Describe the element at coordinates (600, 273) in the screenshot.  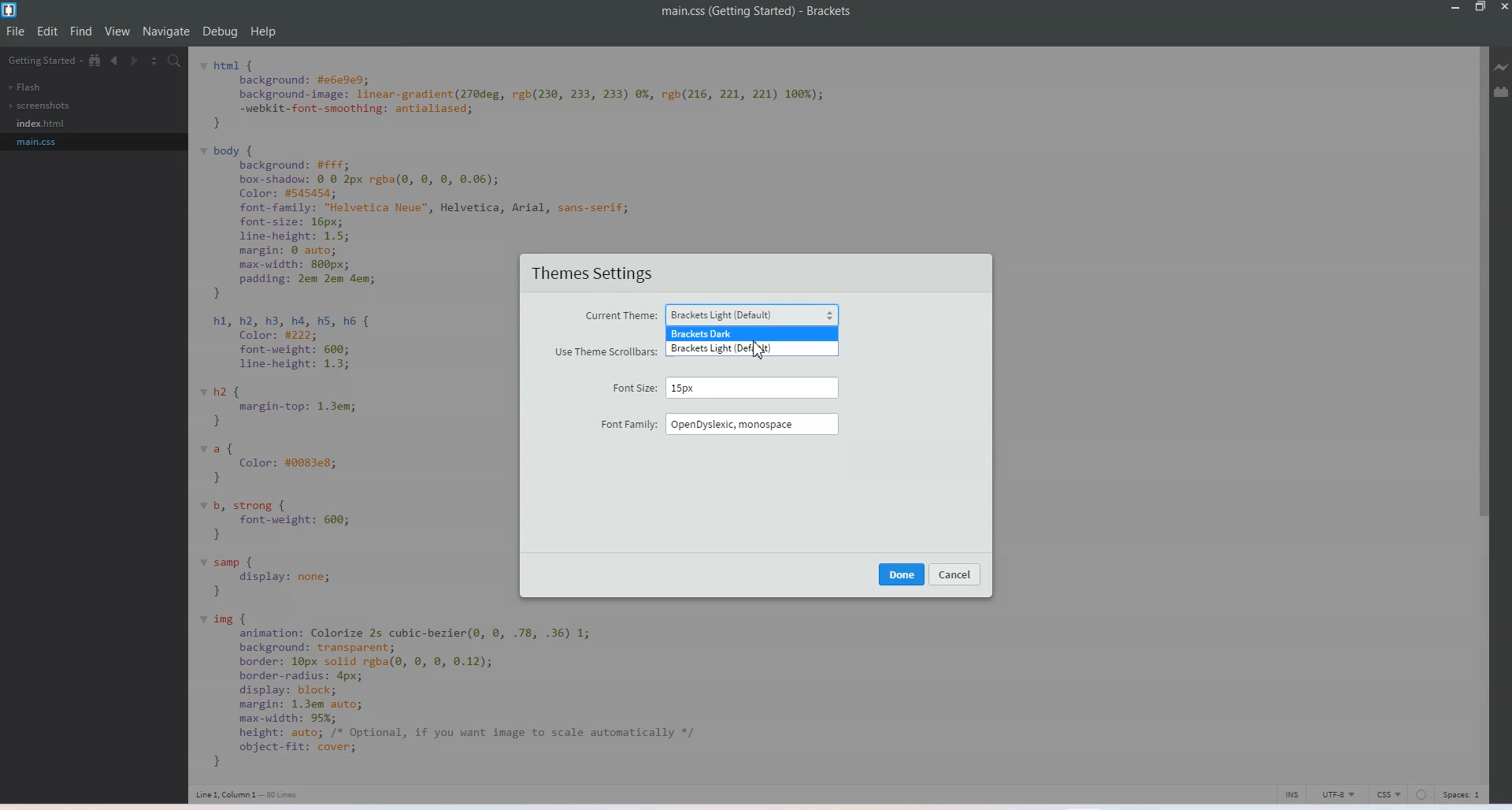
I see `Theme settings` at that location.